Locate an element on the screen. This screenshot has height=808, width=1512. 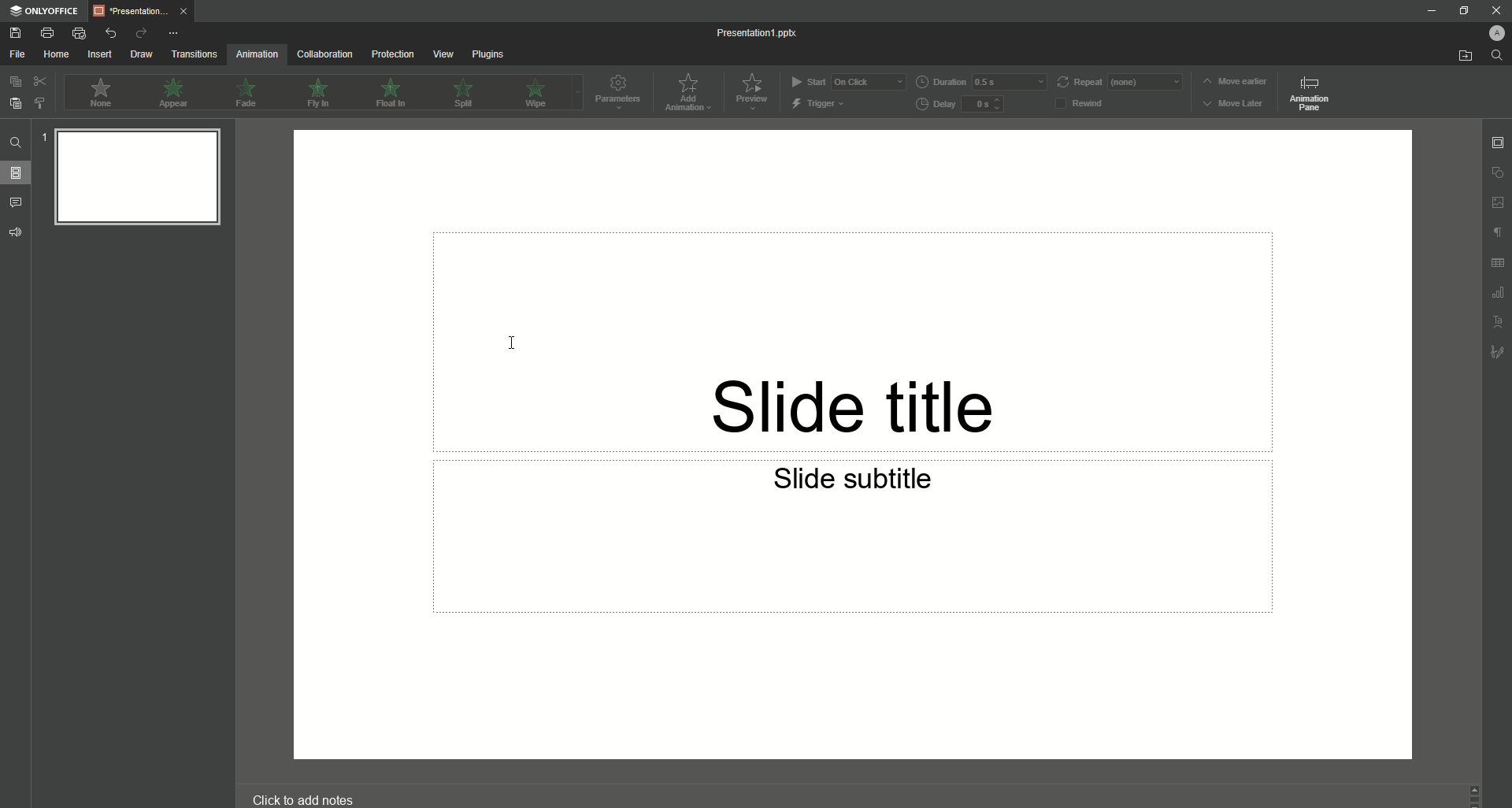
Minimize is located at coordinates (1430, 10).